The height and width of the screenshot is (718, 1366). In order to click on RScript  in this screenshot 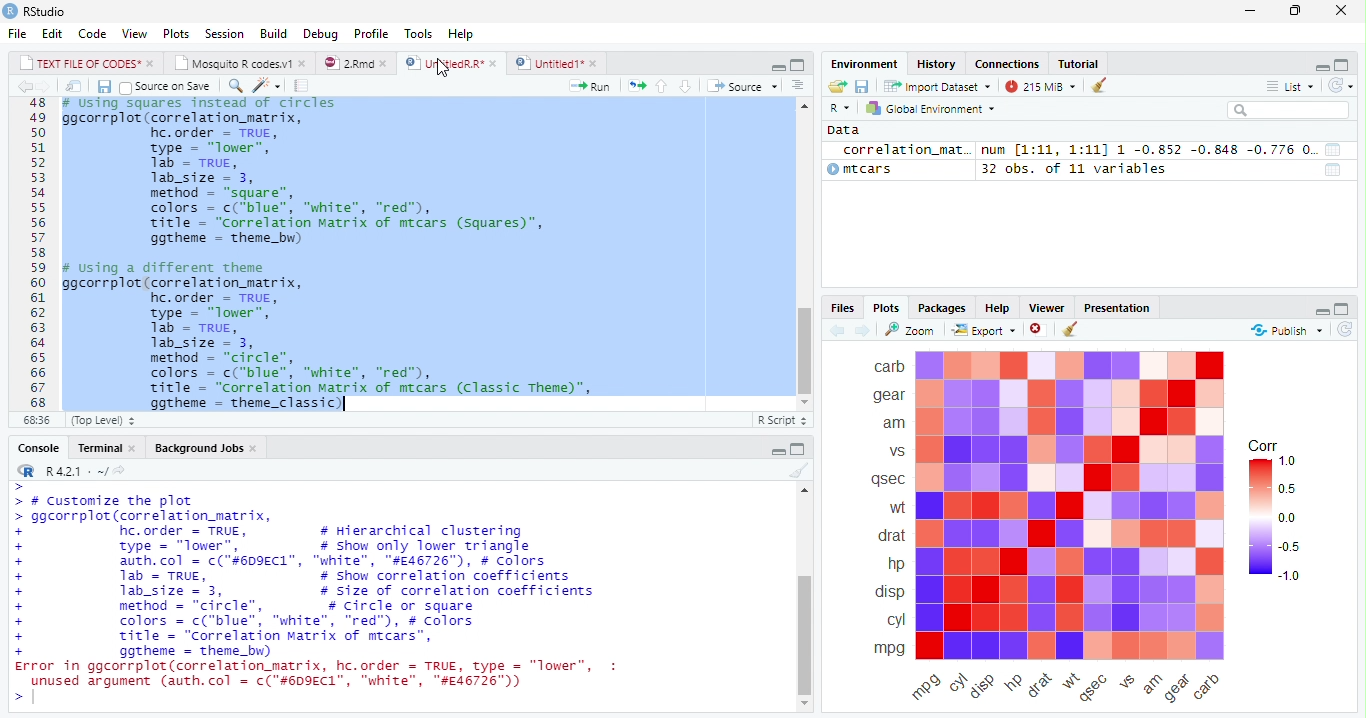, I will do `click(781, 421)`.